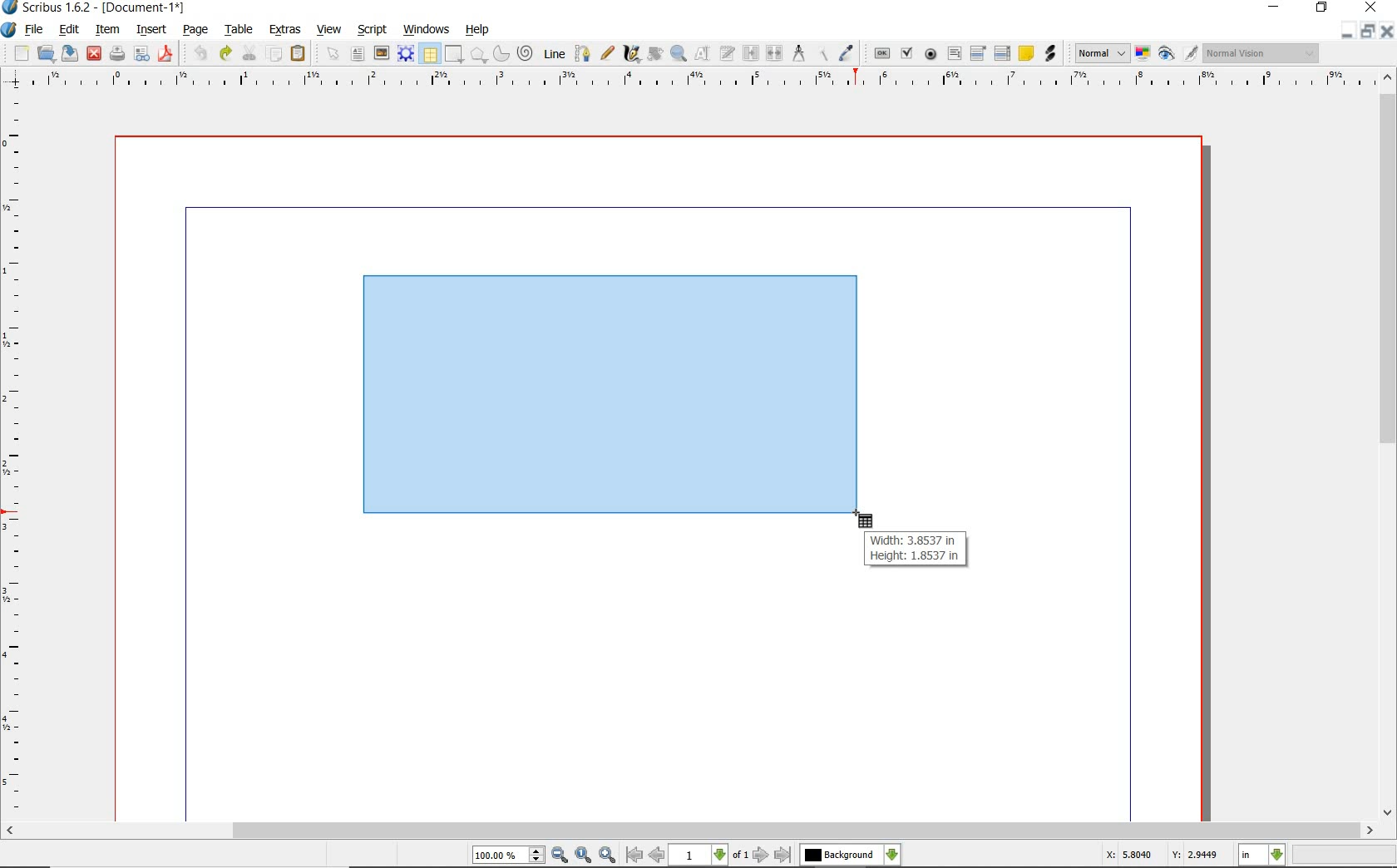 The width and height of the screenshot is (1397, 868). Describe the element at coordinates (613, 396) in the screenshot. I see `drawing table` at that location.